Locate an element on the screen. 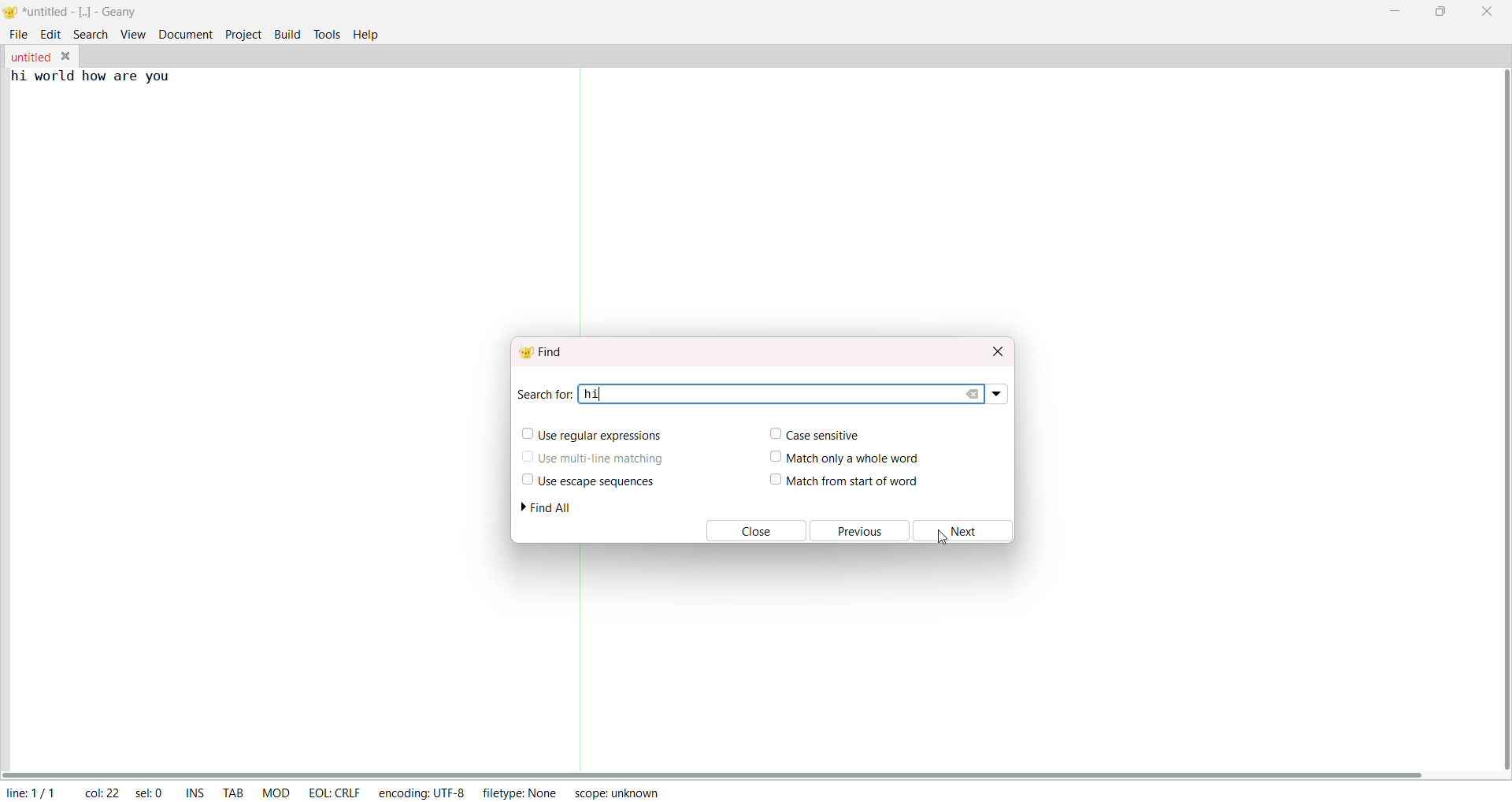 The width and height of the screenshot is (1512, 802). *untitled - [..] - geany is located at coordinates (82, 10).